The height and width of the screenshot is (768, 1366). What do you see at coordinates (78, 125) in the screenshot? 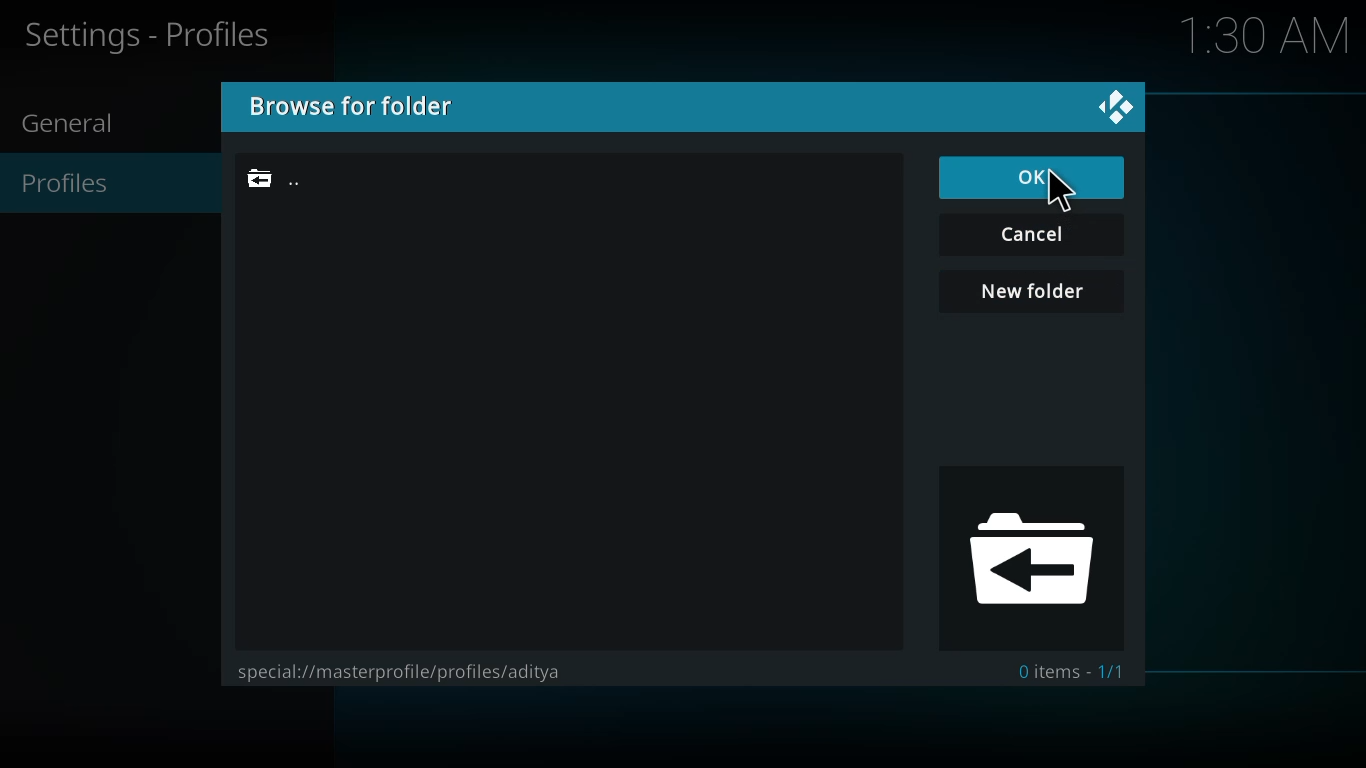
I see `general` at bounding box center [78, 125].